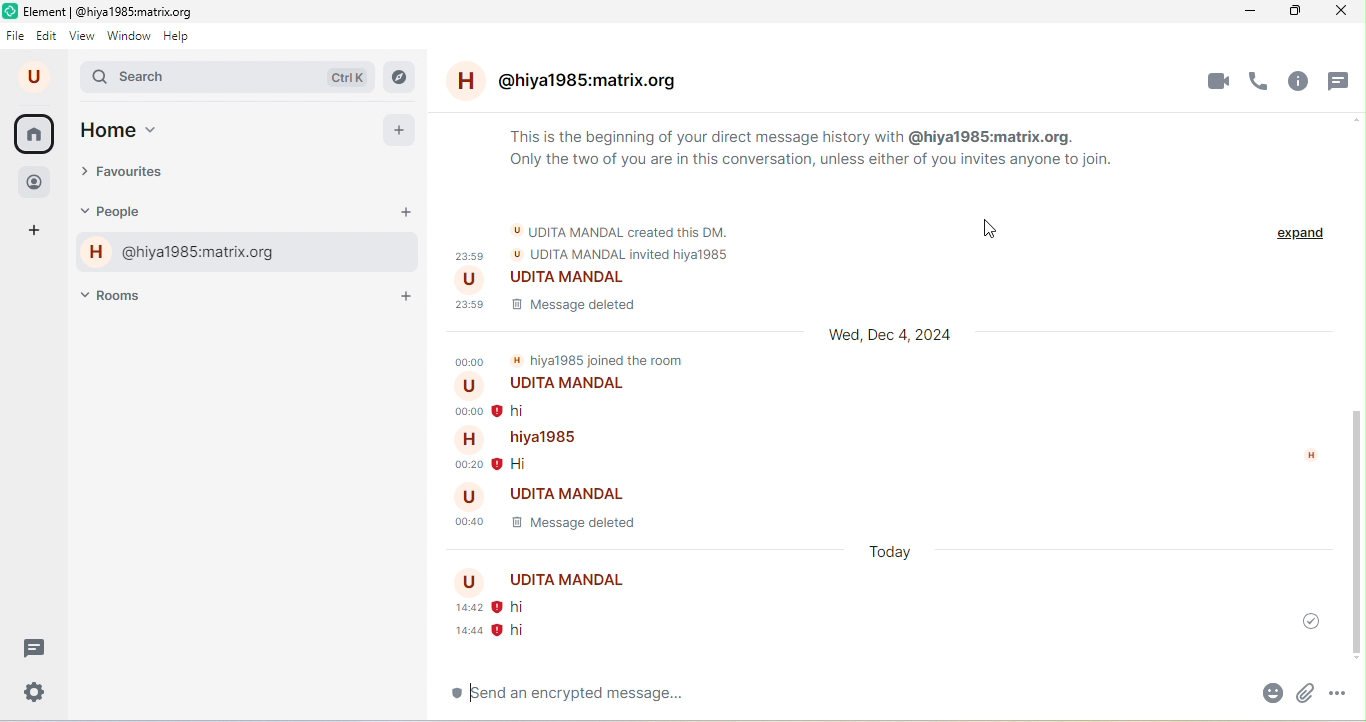  What do you see at coordinates (1306, 693) in the screenshot?
I see `attachment` at bounding box center [1306, 693].